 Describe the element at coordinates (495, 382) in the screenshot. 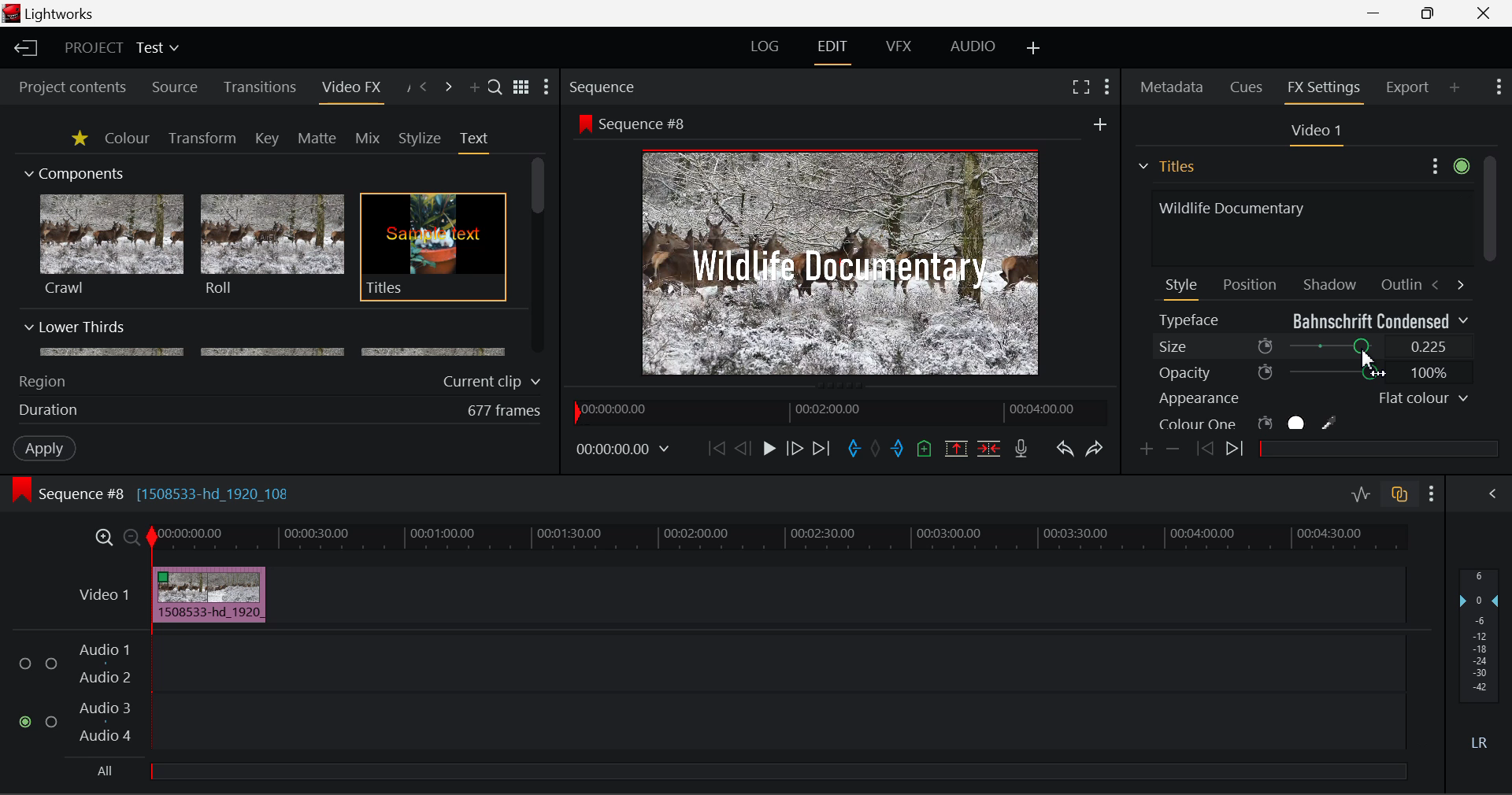

I see `Current clip` at that location.